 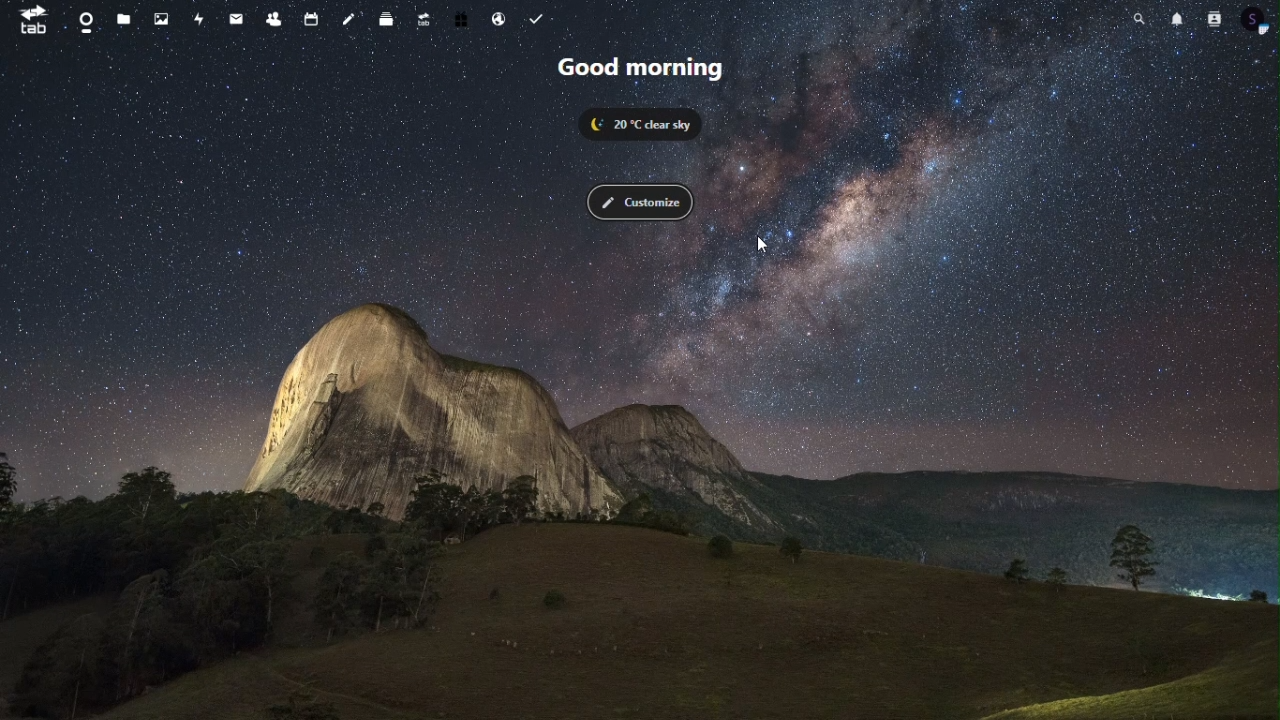 What do you see at coordinates (1255, 19) in the screenshot?
I see `profile` at bounding box center [1255, 19].